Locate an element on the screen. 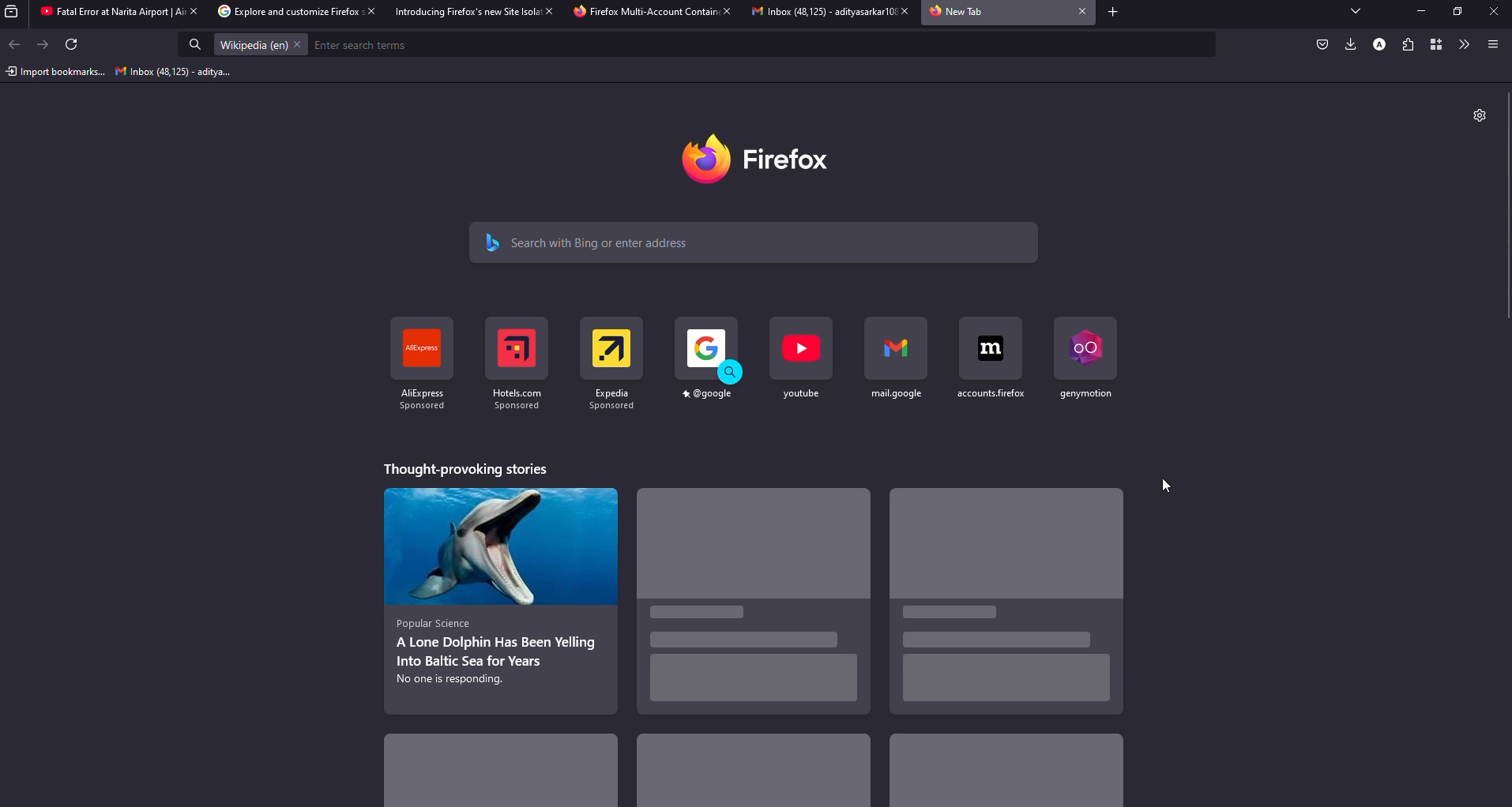  shortcut is located at coordinates (709, 360).